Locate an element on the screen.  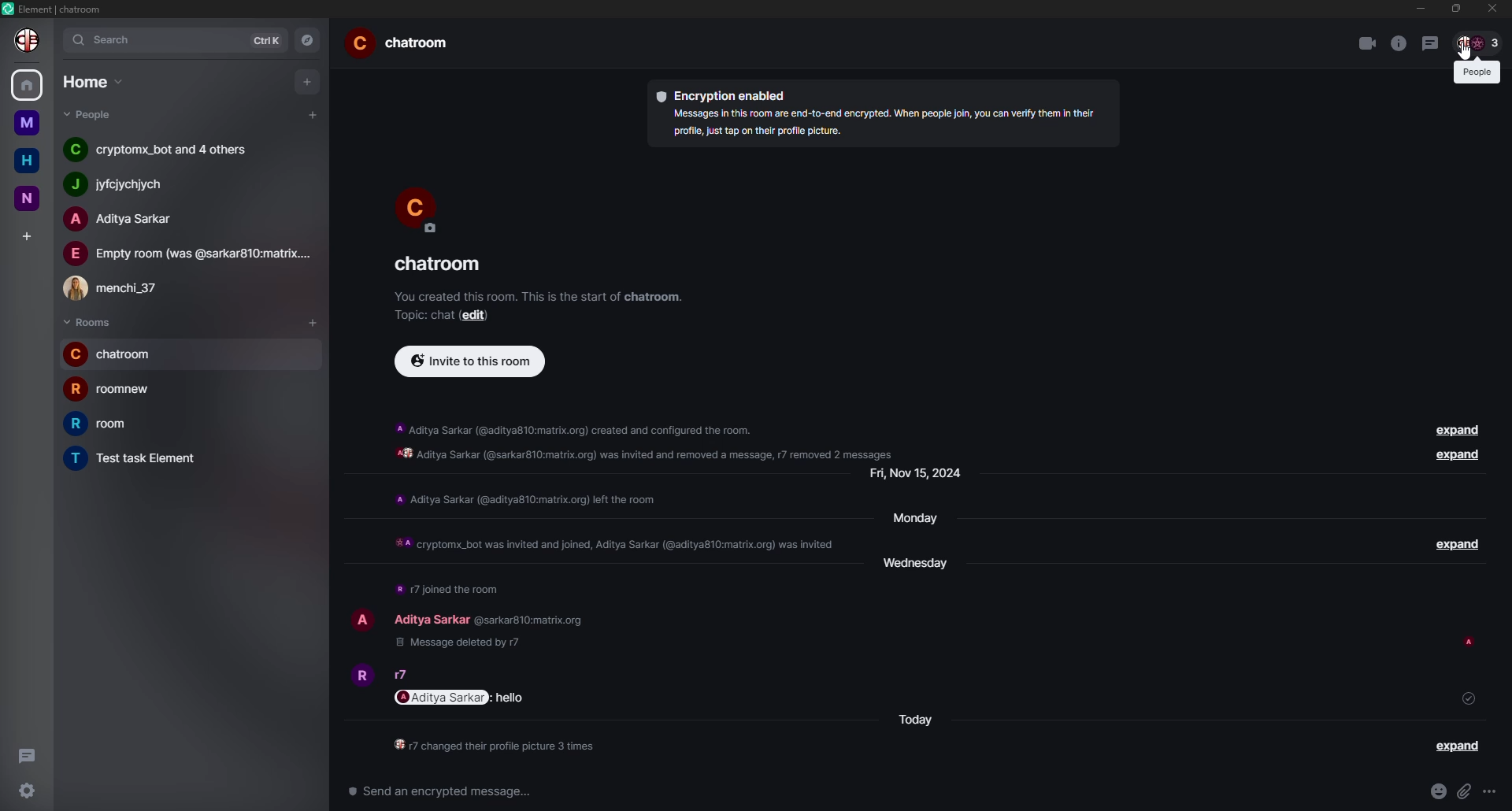
room is located at coordinates (111, 424).